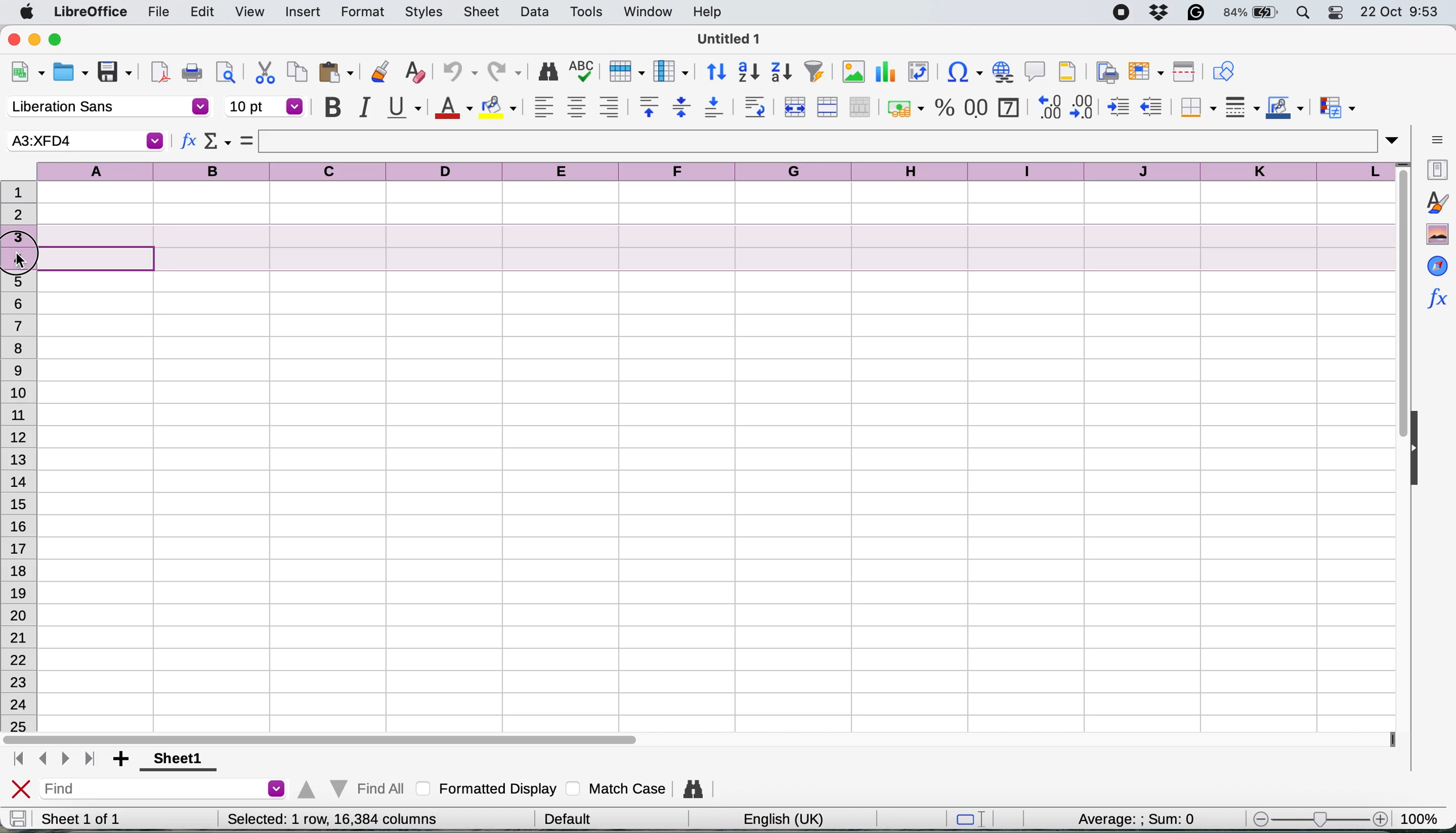 This screenshot has height=833, width=1456. What do you see at coordinates (1285, 109) in the screenshot?
I see `border color` at bounding box center [1285, 109].